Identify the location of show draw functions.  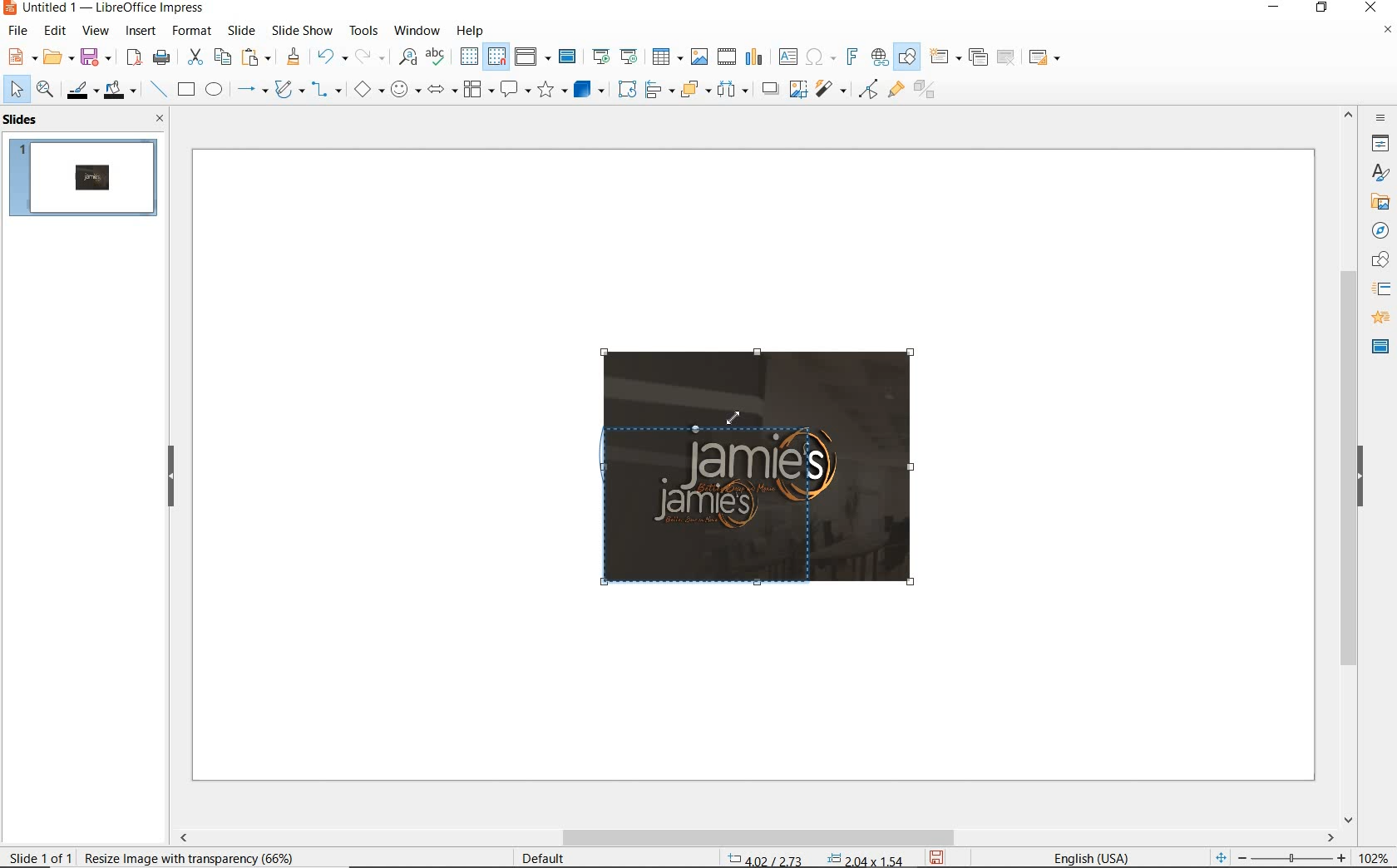
(907, 57).